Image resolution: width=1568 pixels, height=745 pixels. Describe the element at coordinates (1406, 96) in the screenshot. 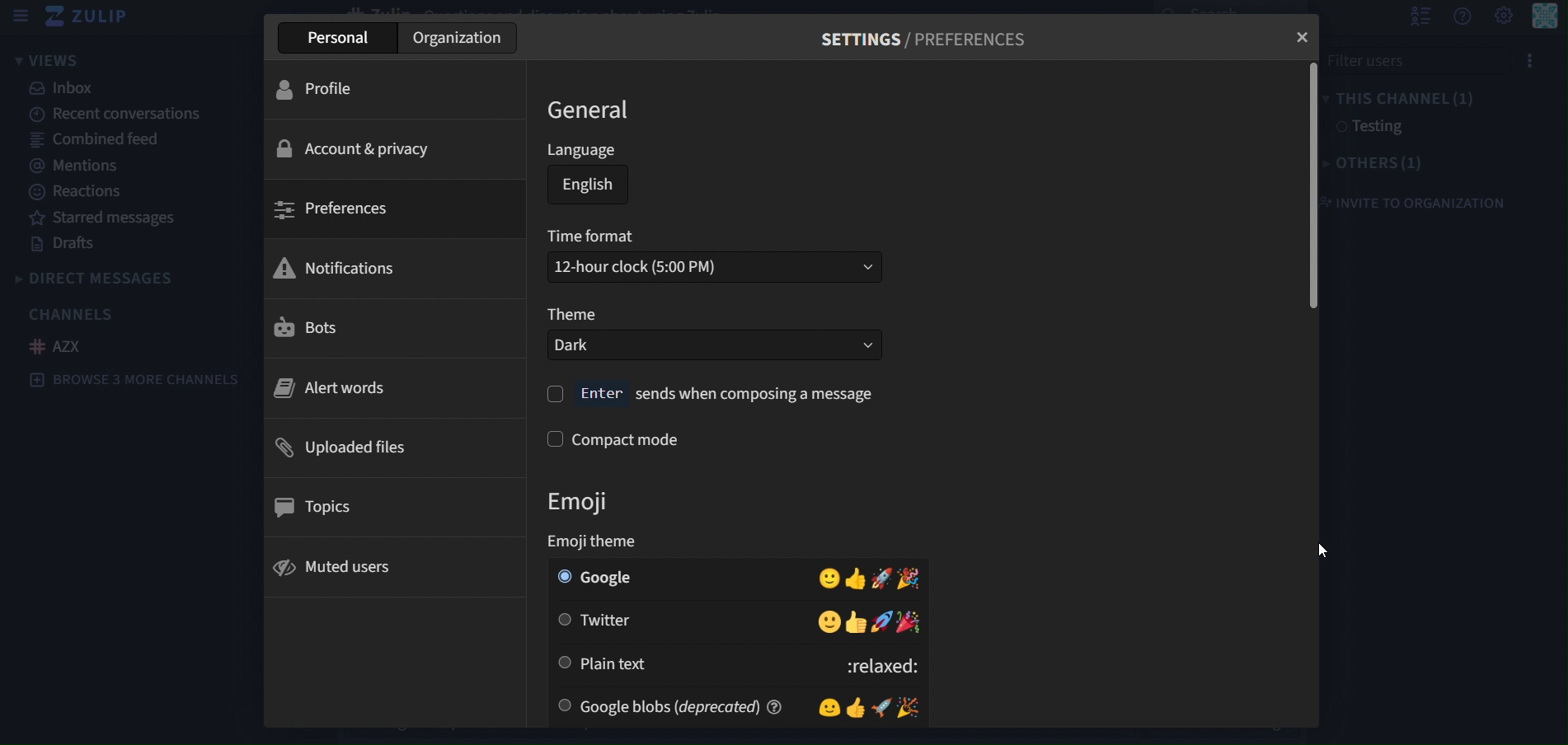

I see `this channel(1)` at that location.